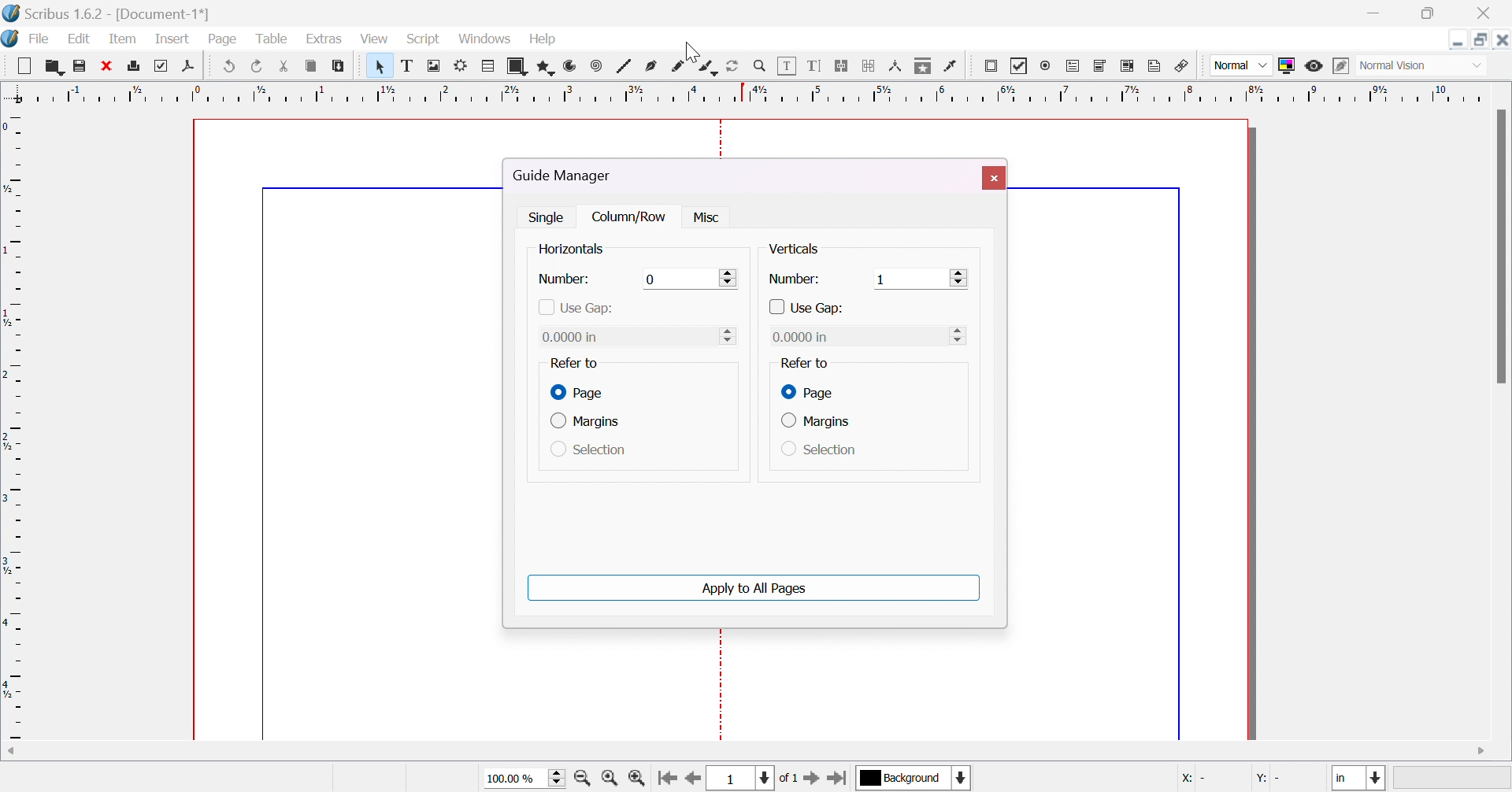  Describe the element at coordinates (548, 65) in the screenshot. I see `polygon` at that location.